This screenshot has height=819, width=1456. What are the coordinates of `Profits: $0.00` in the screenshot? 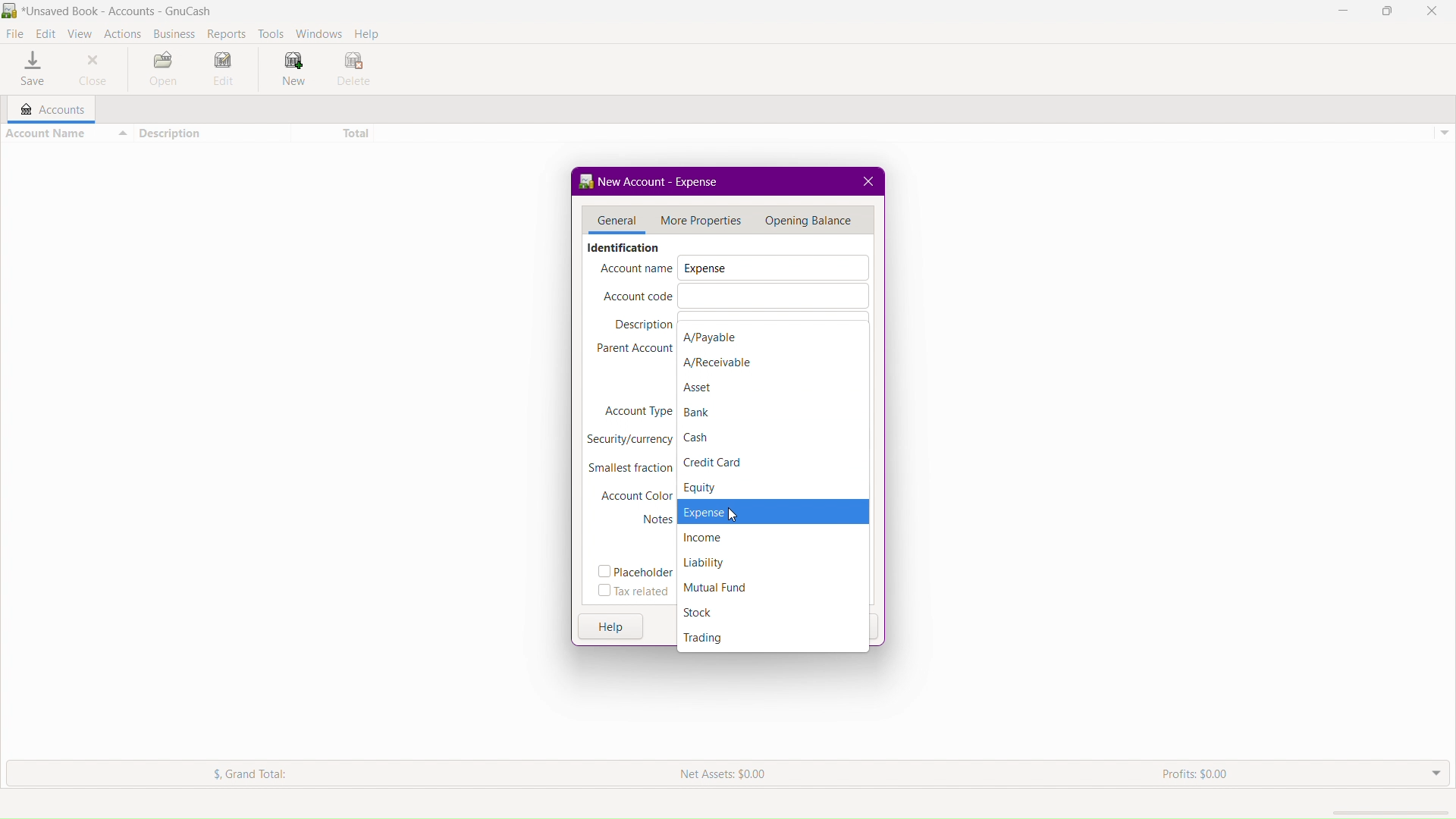 It's located at (1200, 773).